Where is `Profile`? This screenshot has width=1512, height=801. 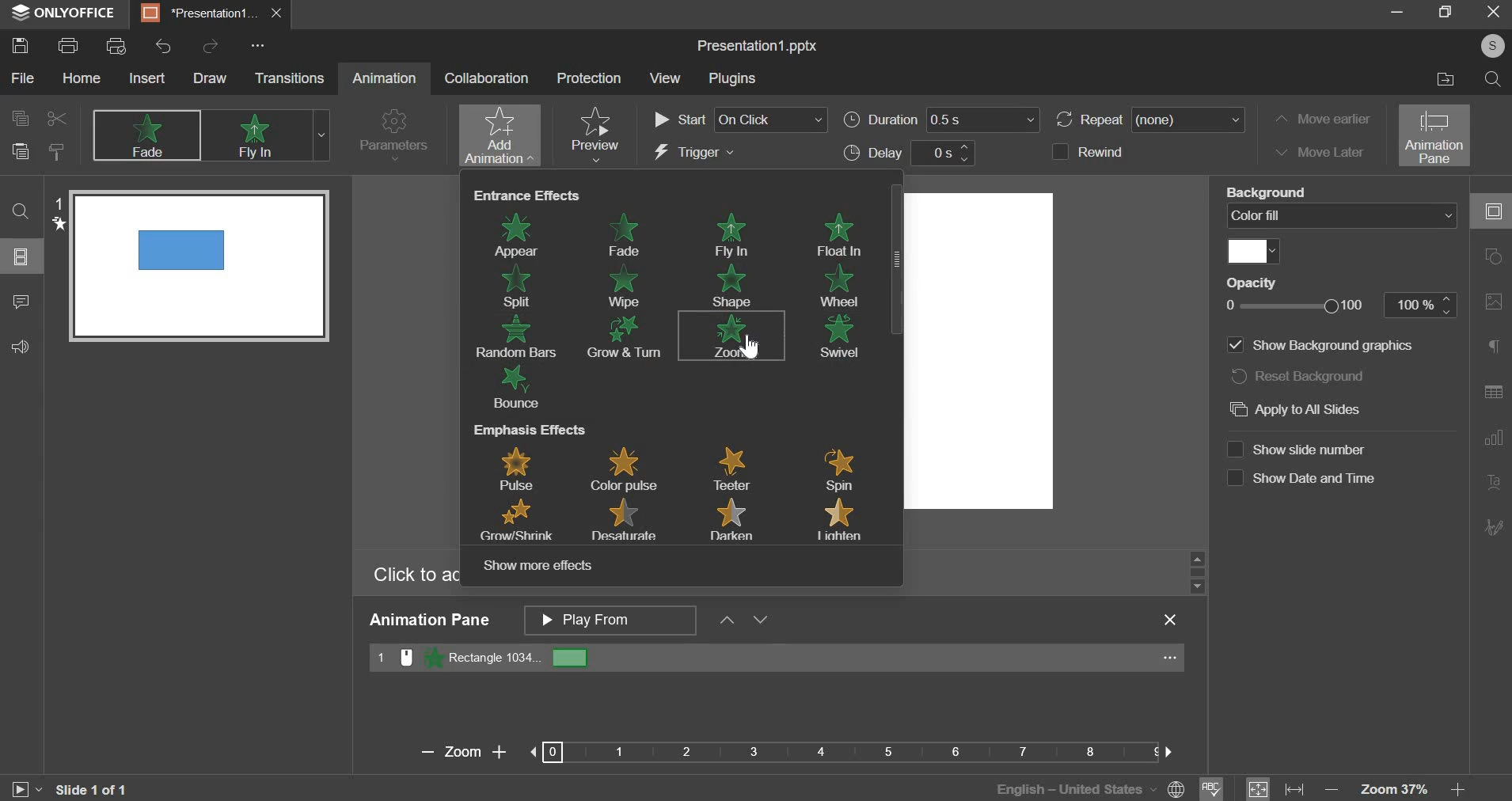
Profile is located at coordinates (1492, 46).